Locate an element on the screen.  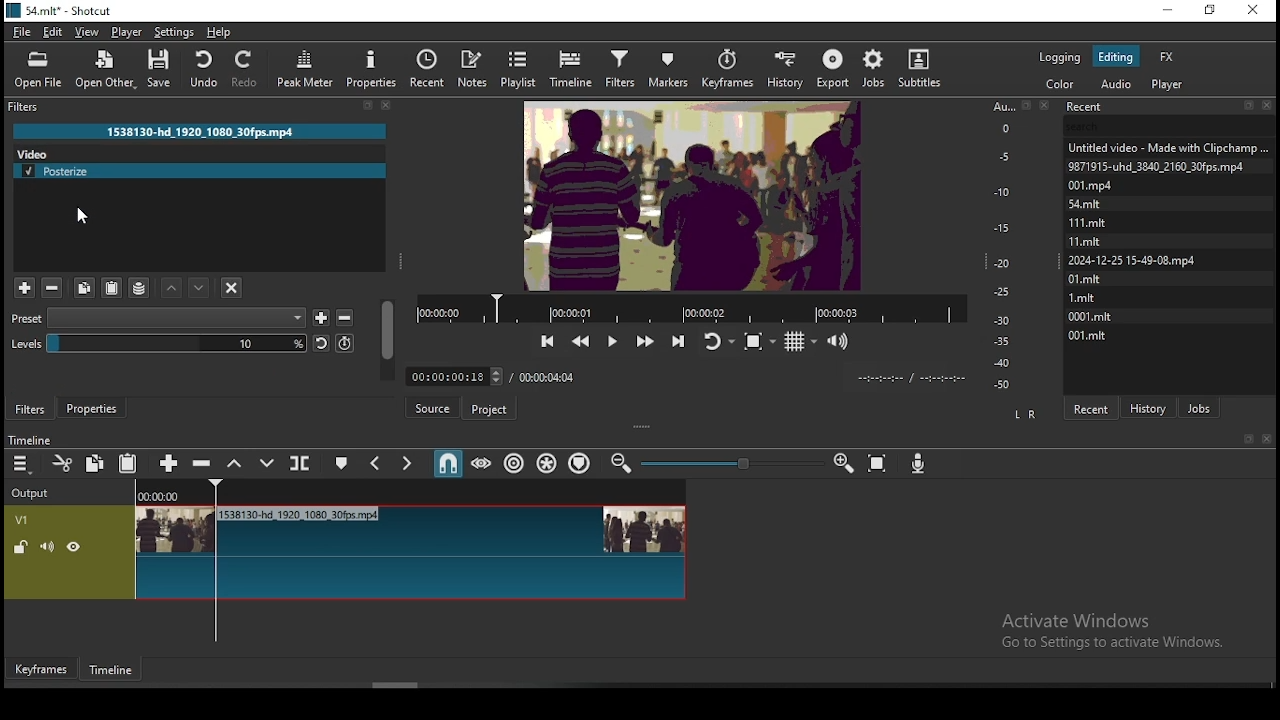
save filter set is located at coordinates (140, 285).